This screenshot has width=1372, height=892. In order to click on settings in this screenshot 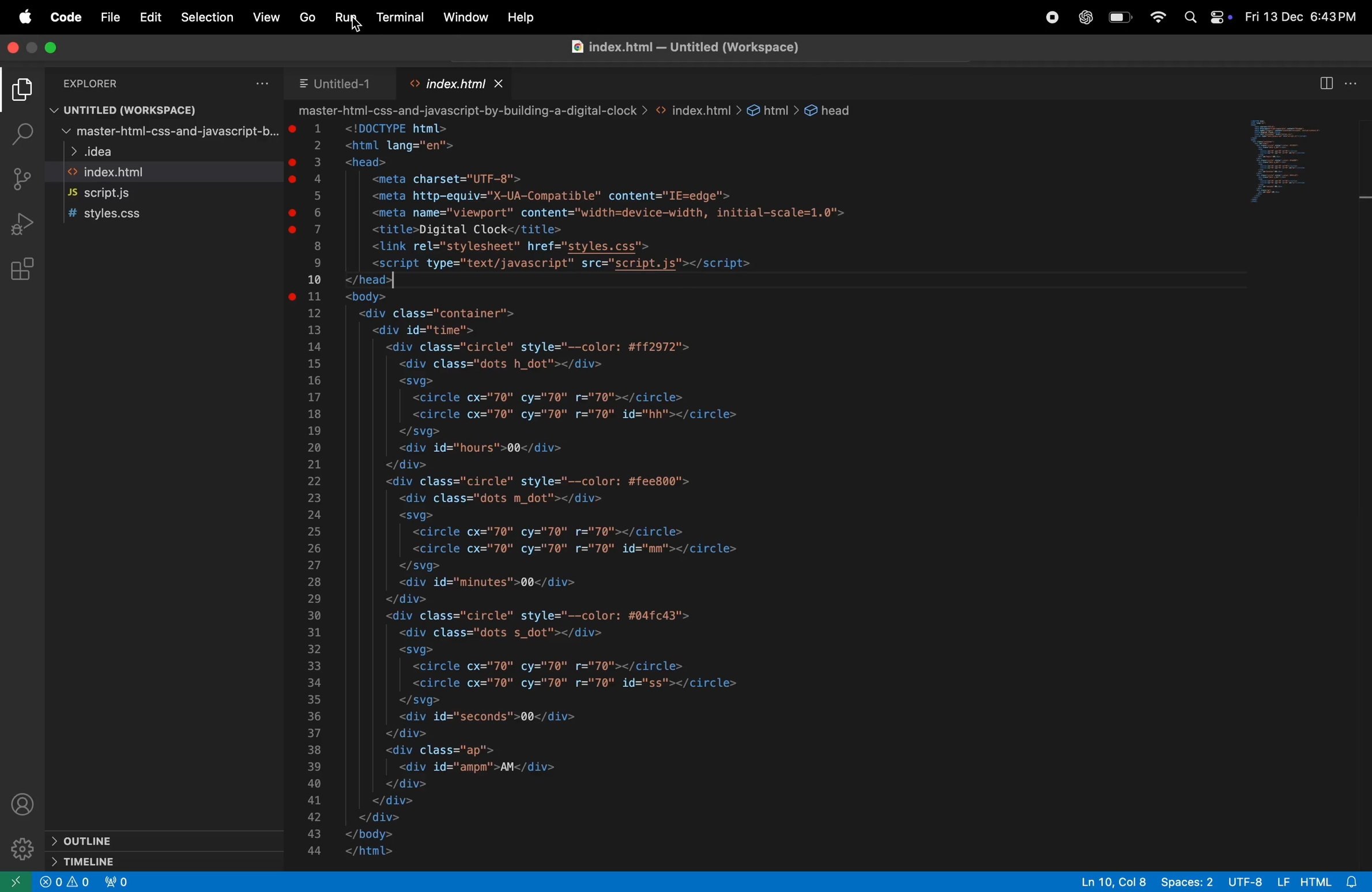, I will do `click(21, 849)`.